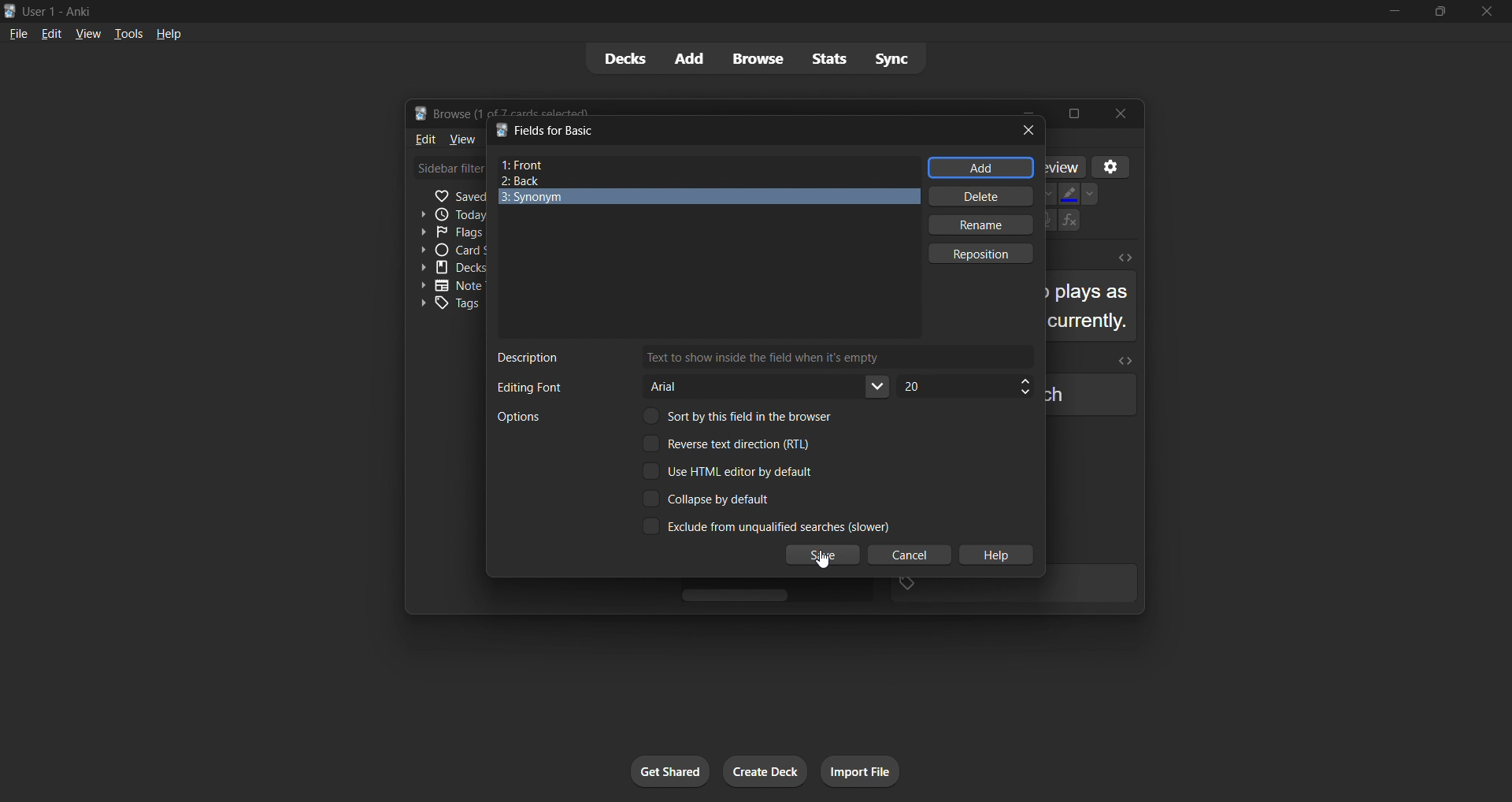 The width and height of the screenshot is (1512, 802). I want to click on Edit, so click(426, 140).